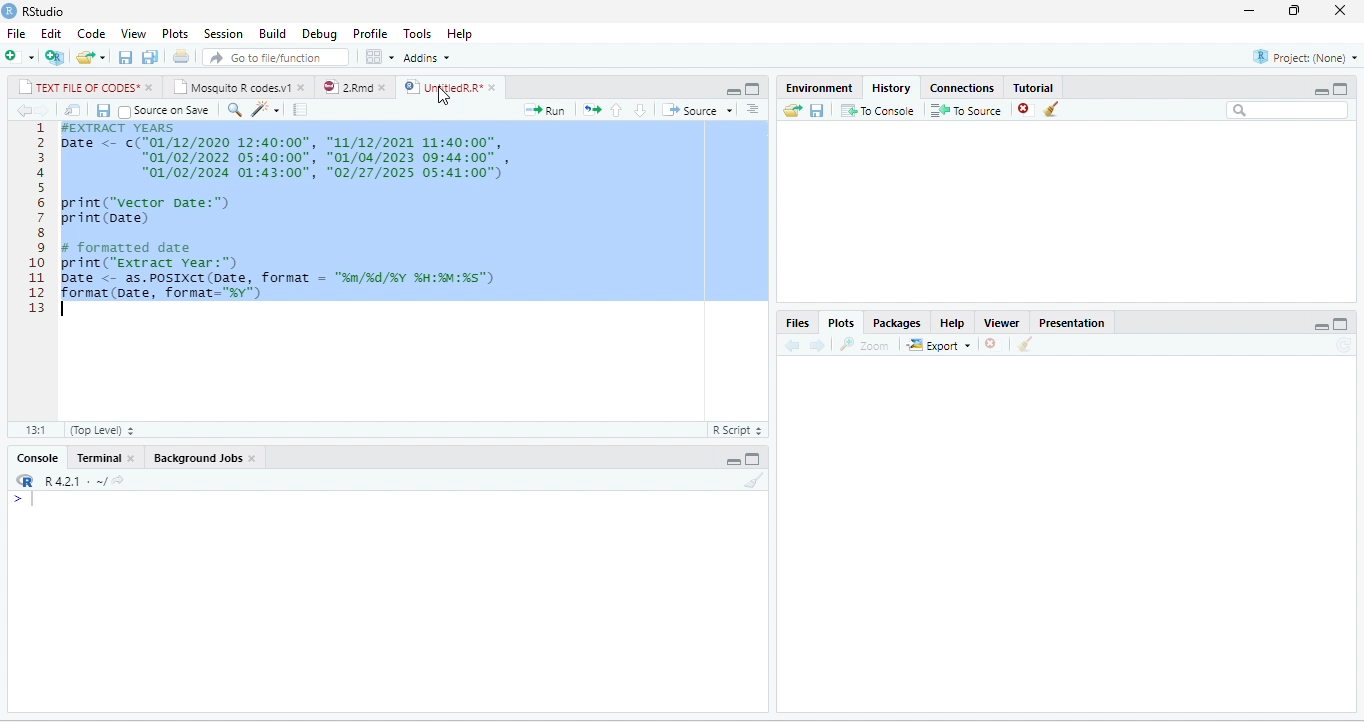  Describe the element at coordinates (864, 344) in the screenshot. I see `Zoom` at that location.